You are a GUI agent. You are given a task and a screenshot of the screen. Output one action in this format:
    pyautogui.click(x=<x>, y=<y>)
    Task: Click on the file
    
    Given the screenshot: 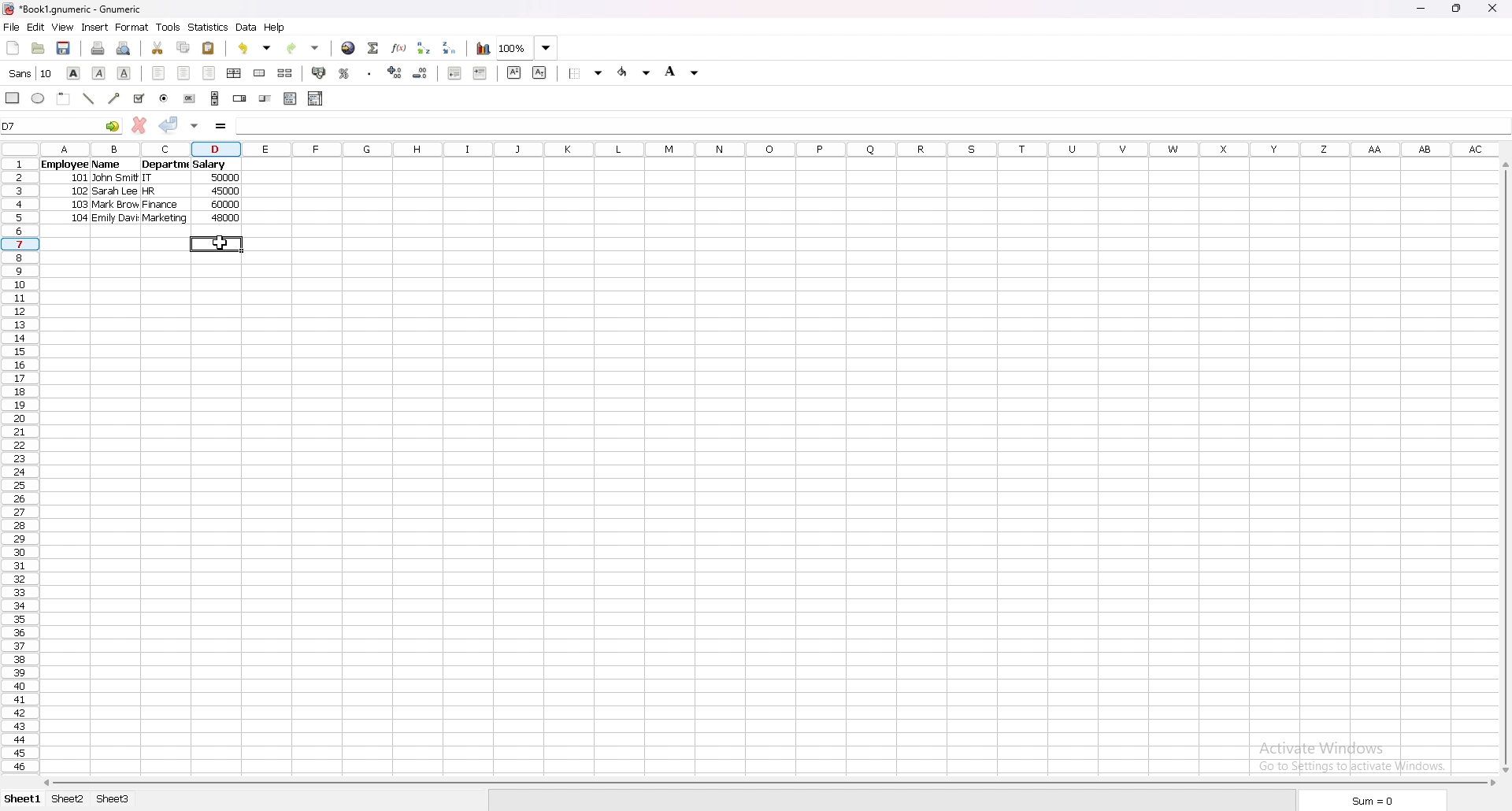 What is the action you would take?
    pyautogui.click(x=11, y=26)
    